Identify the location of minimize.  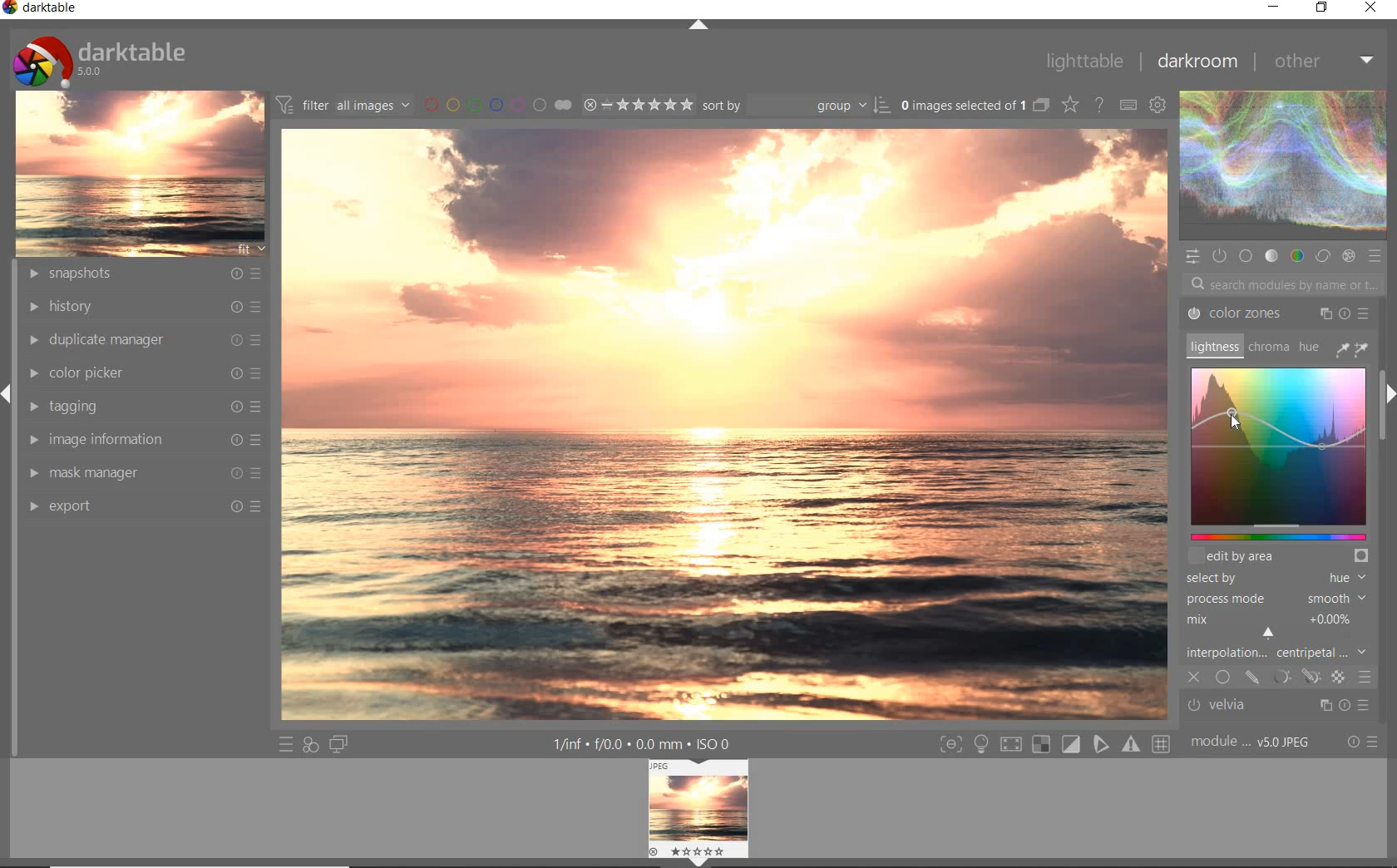
(1276, 6).